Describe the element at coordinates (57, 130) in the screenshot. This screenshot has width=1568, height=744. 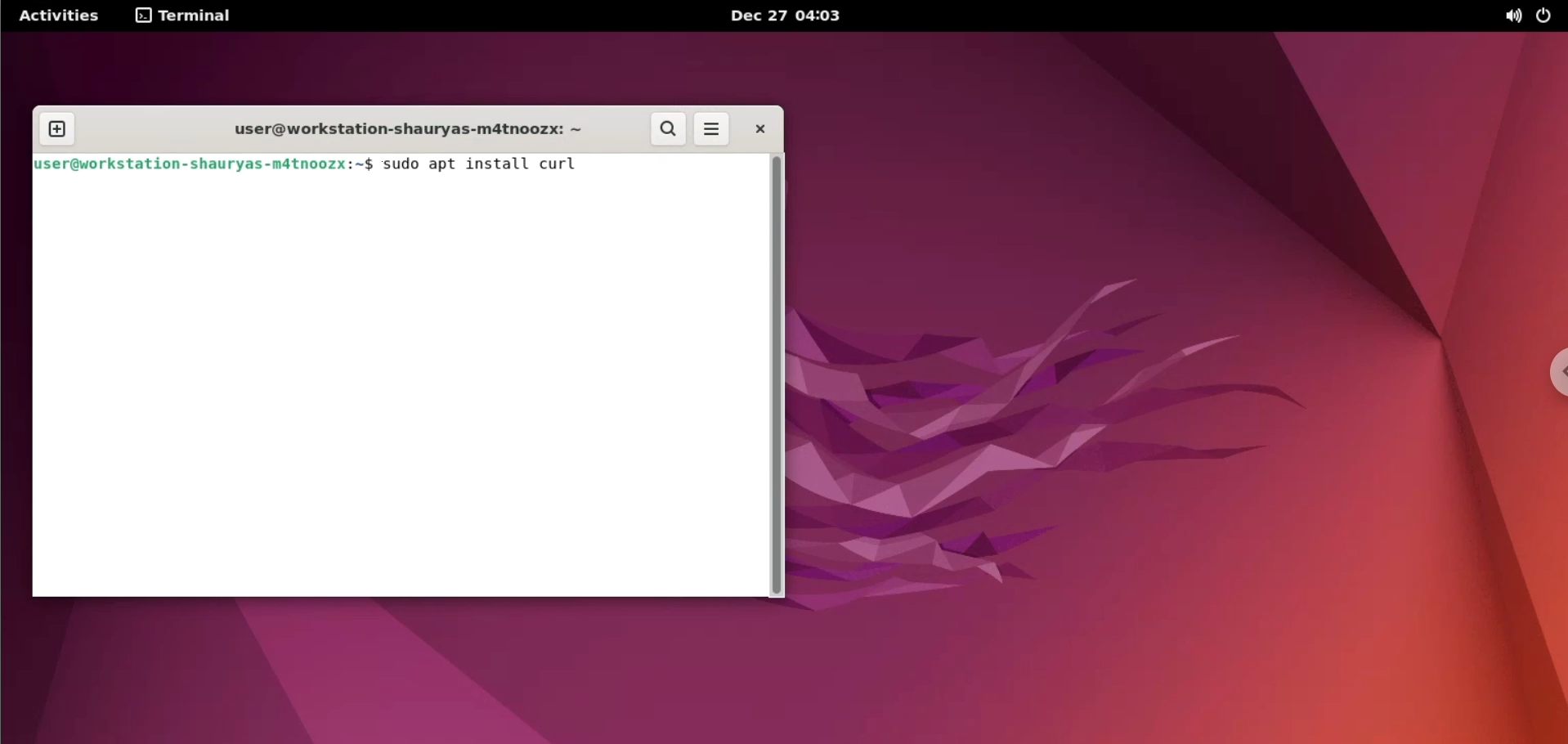
I see `new tab` at that location.